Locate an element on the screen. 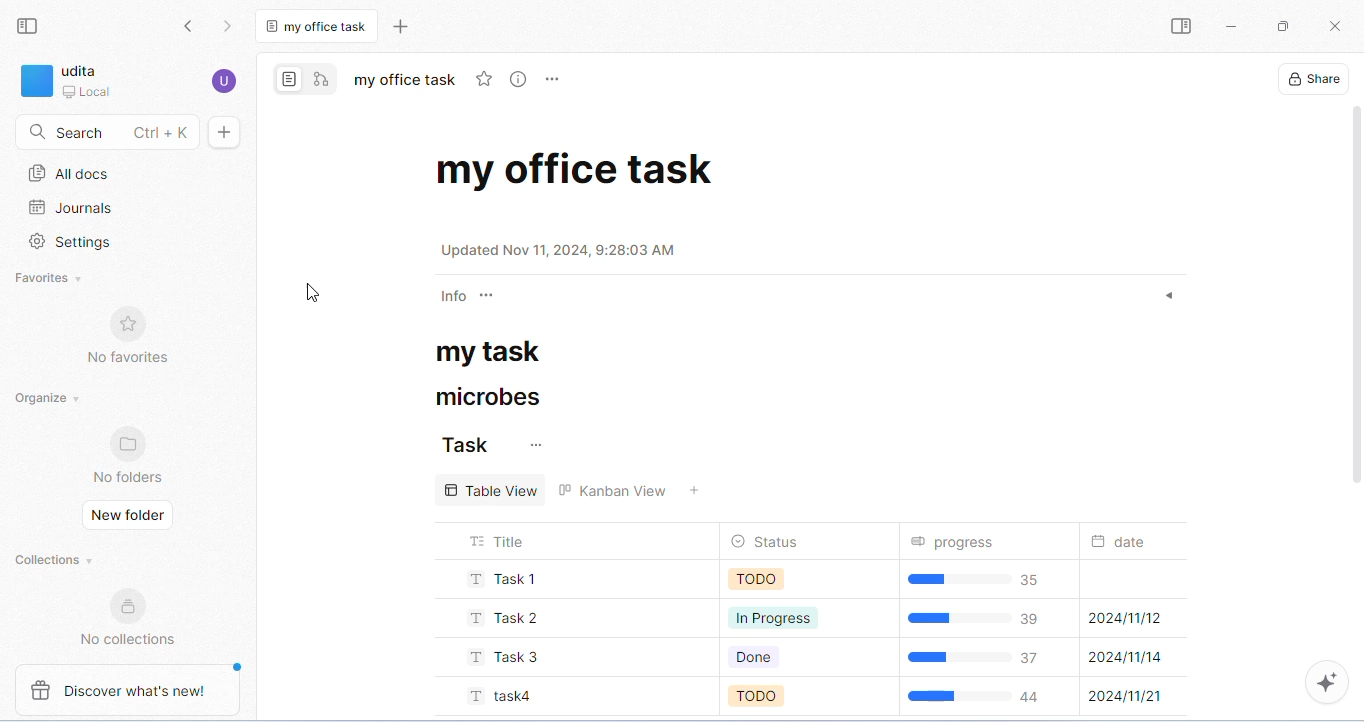 The width and height of the screenshot is (1364, 722). table view is located at coordinates (491, 488).